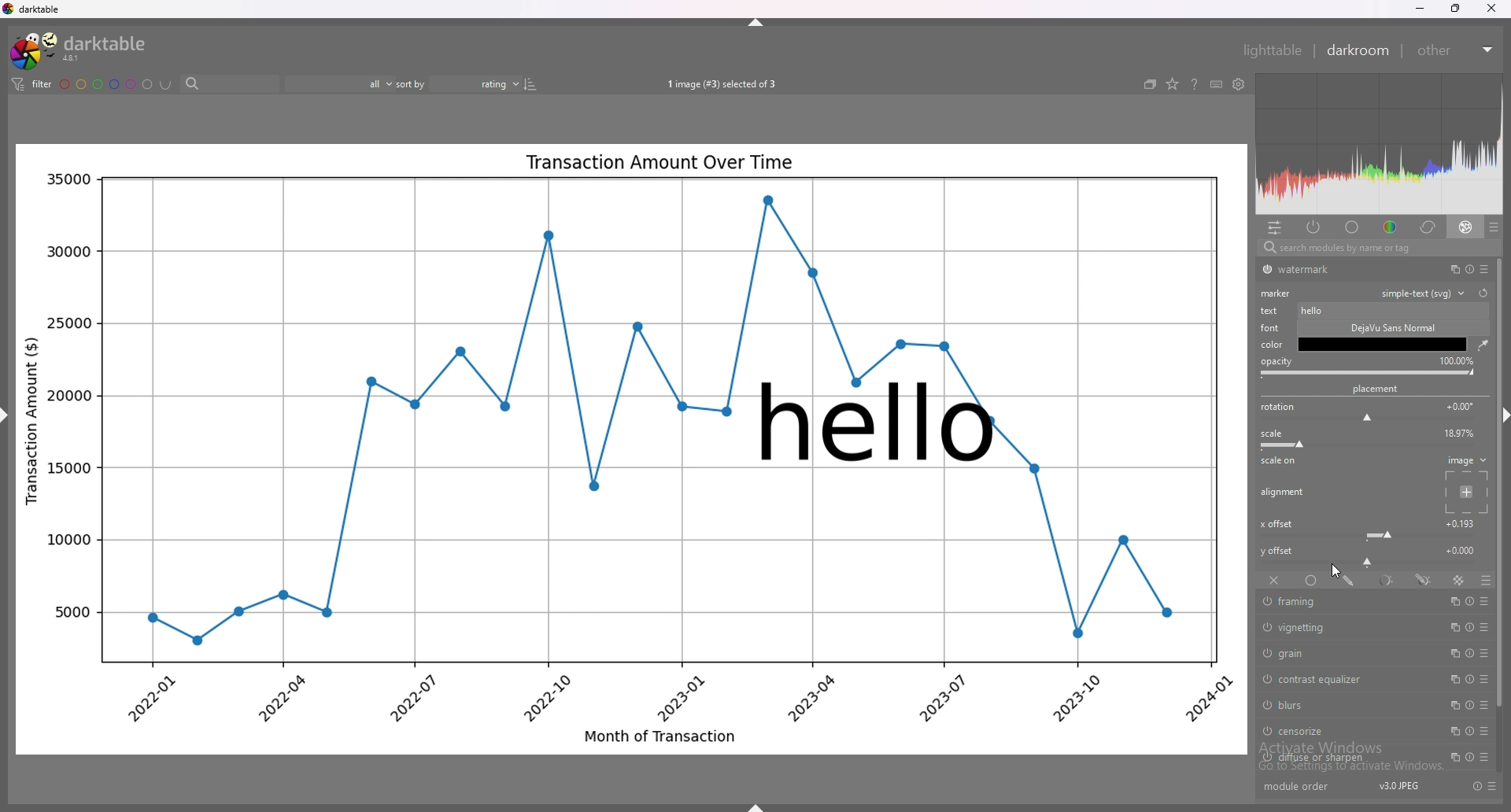 This screenshot has height=812, width=1511. Describe the element at coordinates (1350, 580) in the screenshot. I see `drawn mask` at that location.